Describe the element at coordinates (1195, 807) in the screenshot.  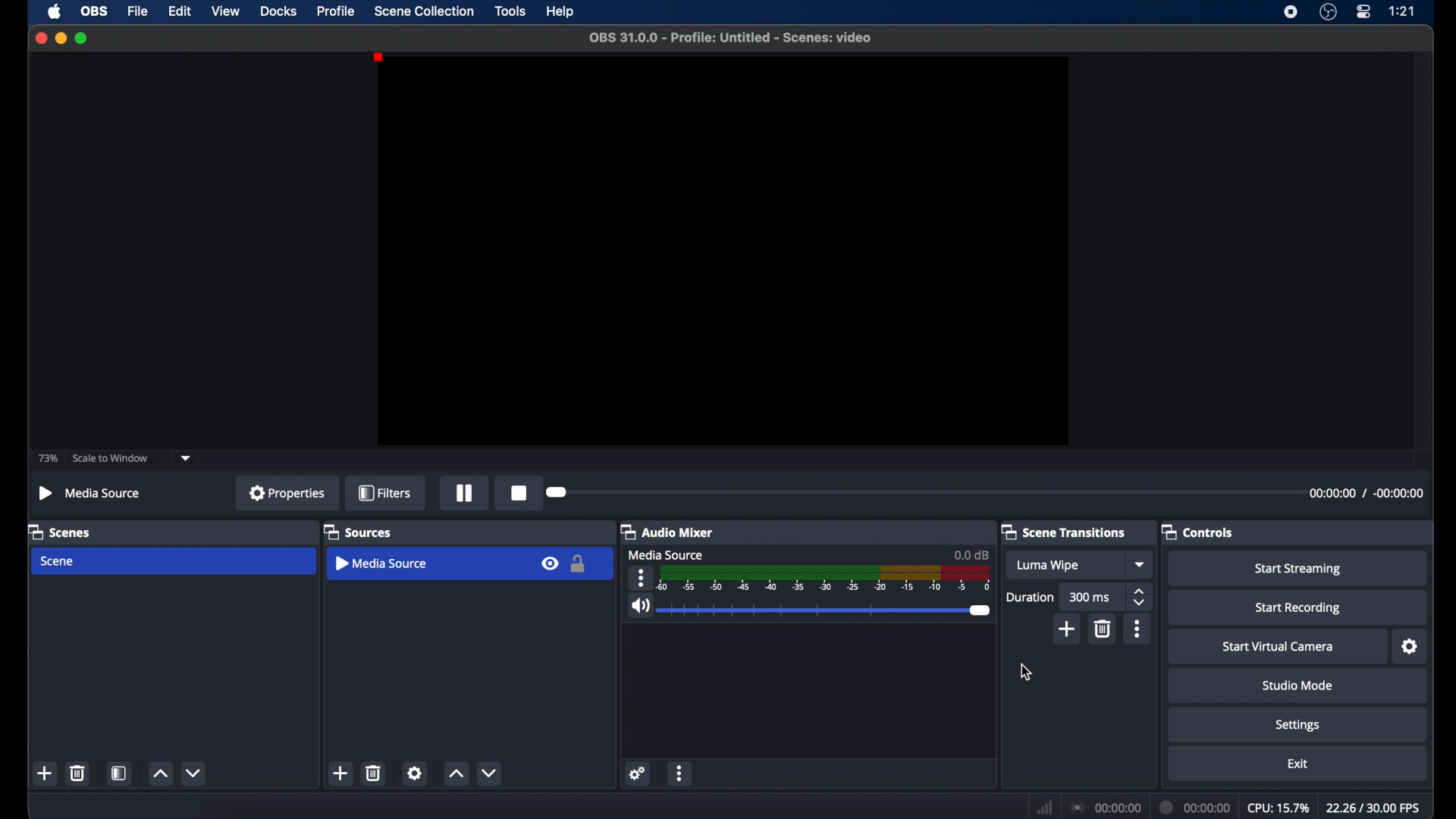
I see `duration` at that location.